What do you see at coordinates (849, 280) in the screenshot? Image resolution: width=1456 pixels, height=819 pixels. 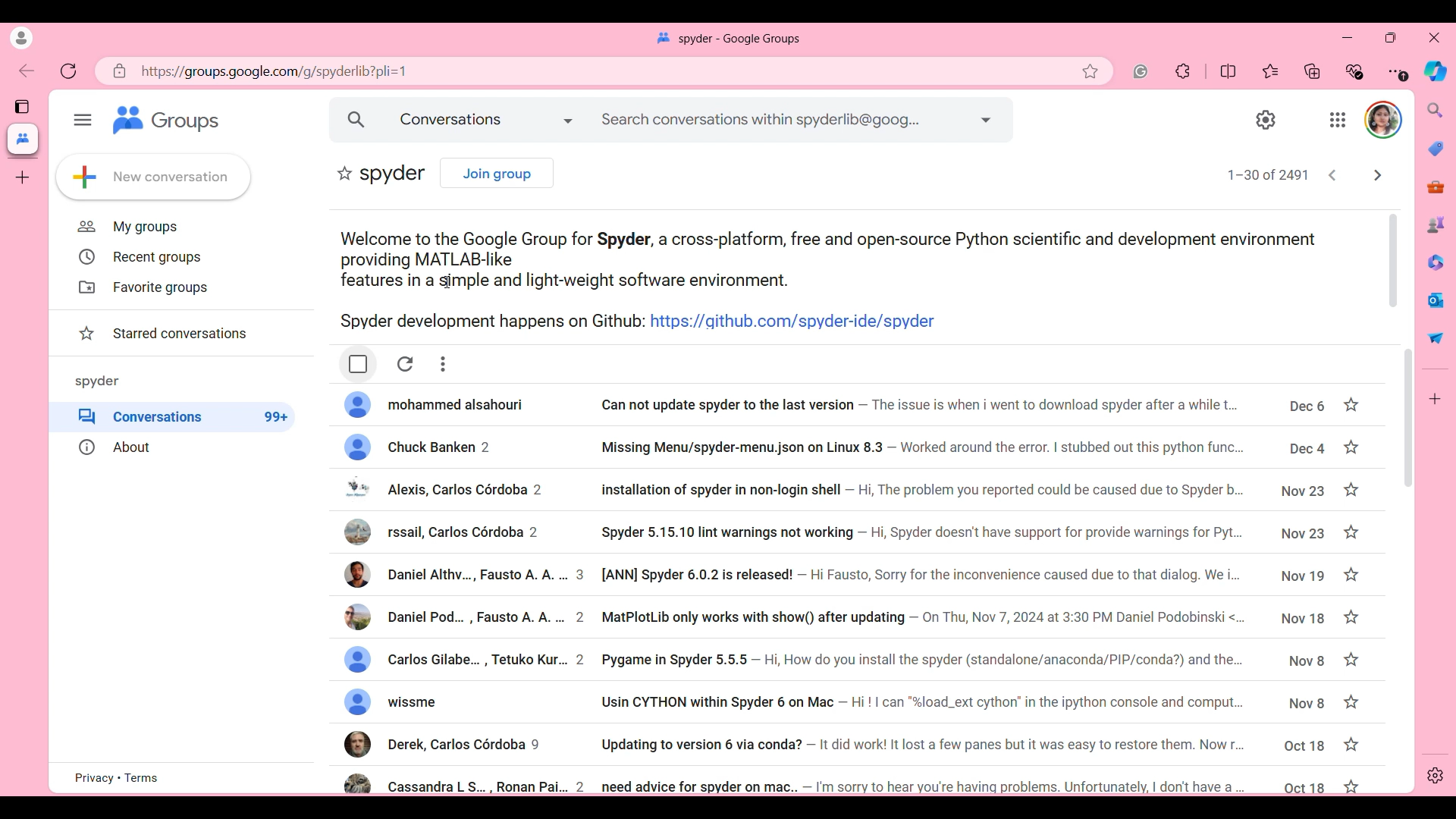 I see `Group description` at bounding box center [849, 280].